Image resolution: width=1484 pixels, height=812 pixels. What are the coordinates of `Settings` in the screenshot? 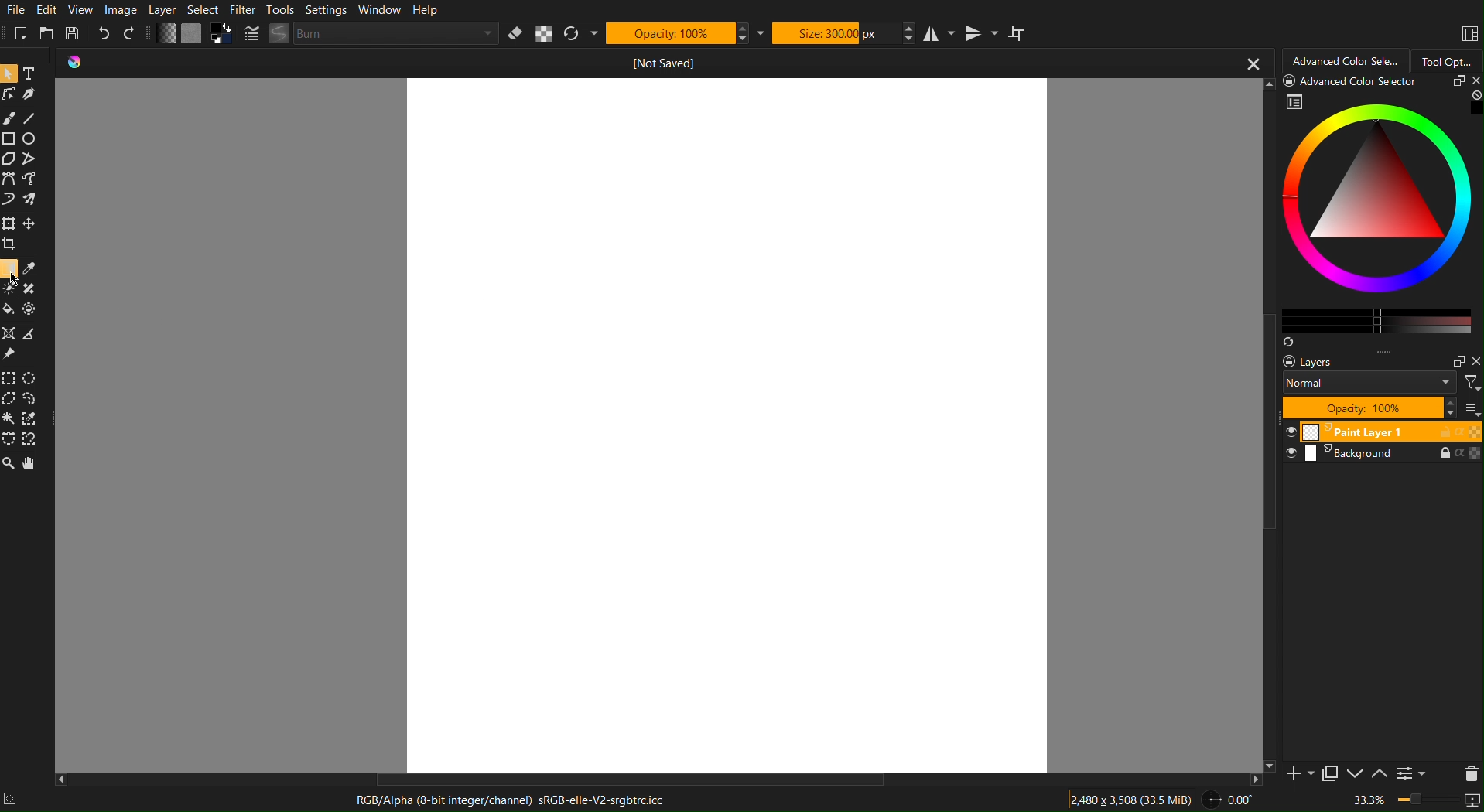 It's located at (323, 10).